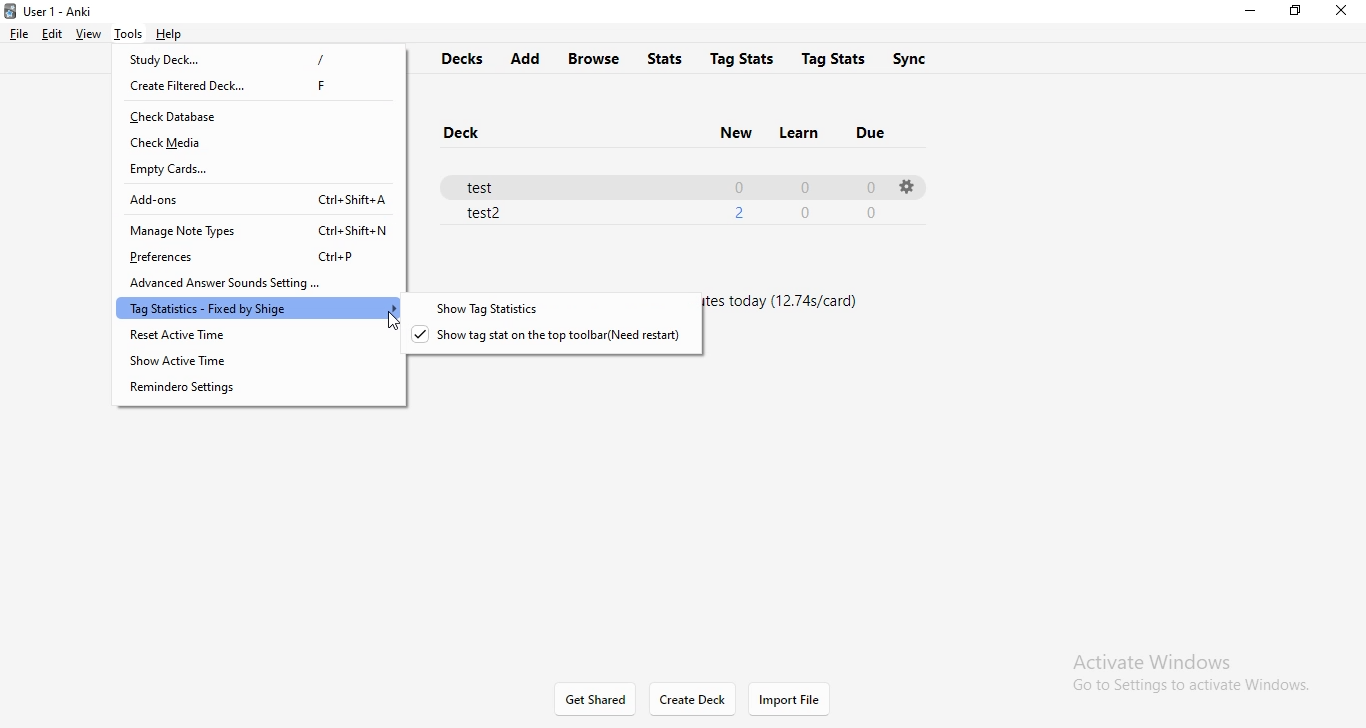 This screenshot has height=728, width=1366. I want to click on edit, so click(53, 33).